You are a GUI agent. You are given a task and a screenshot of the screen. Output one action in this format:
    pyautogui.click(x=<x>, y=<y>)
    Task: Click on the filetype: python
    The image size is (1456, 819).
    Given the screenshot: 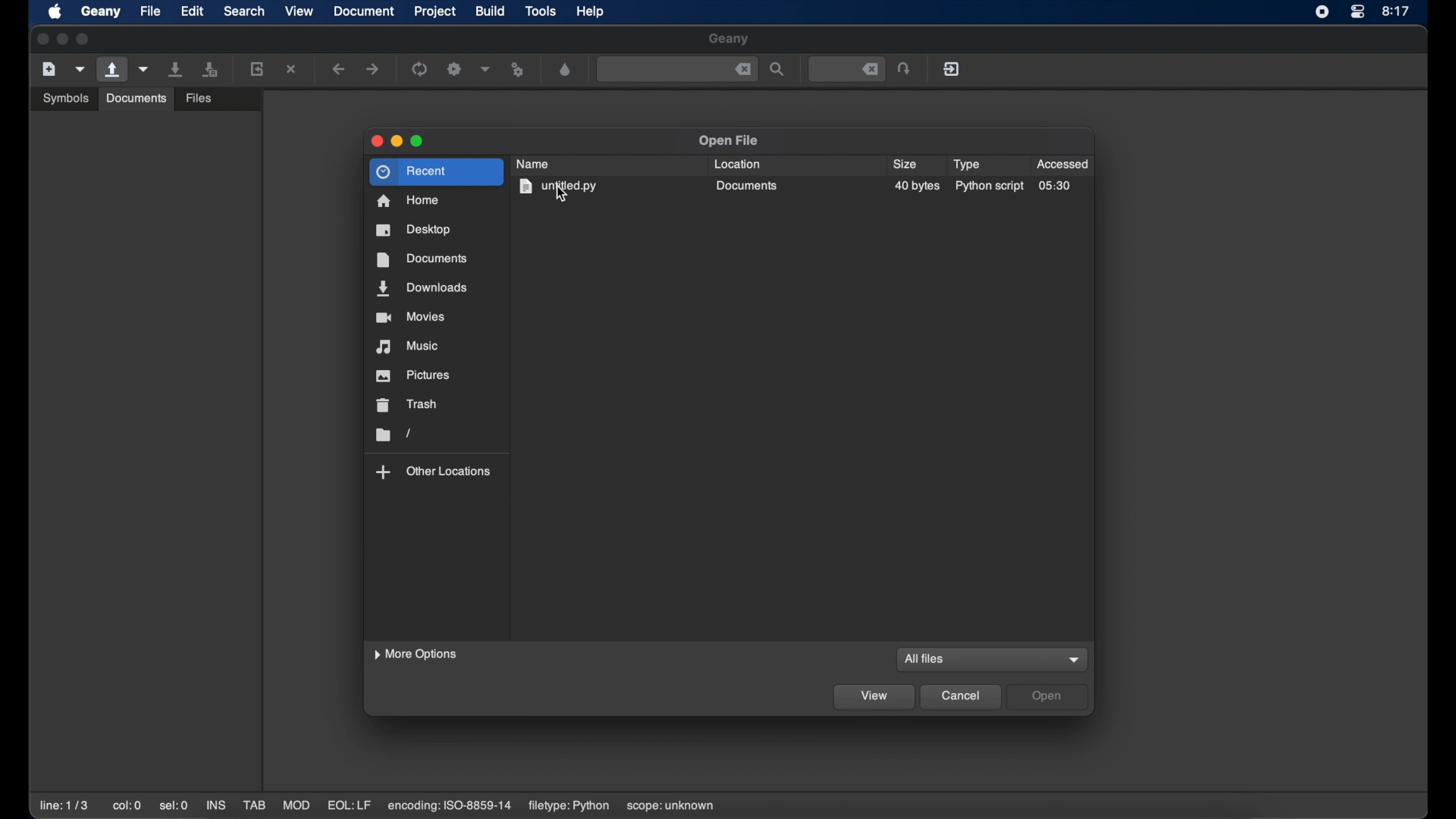 What is the action you would take?
    pyautogui.click(x=569, y=806)
    